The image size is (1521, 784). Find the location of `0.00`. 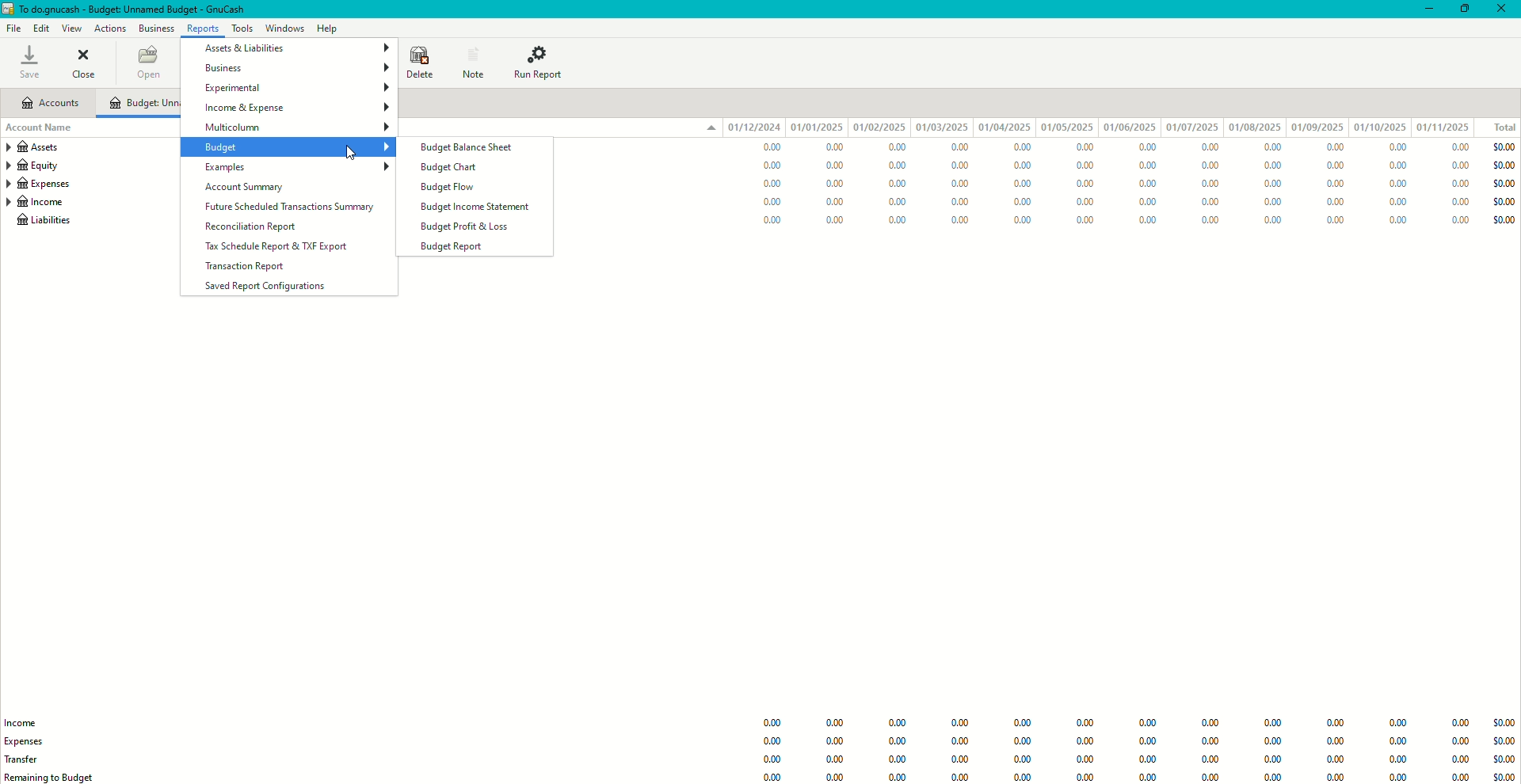

0.00 is located at coordinates (1340, 201).